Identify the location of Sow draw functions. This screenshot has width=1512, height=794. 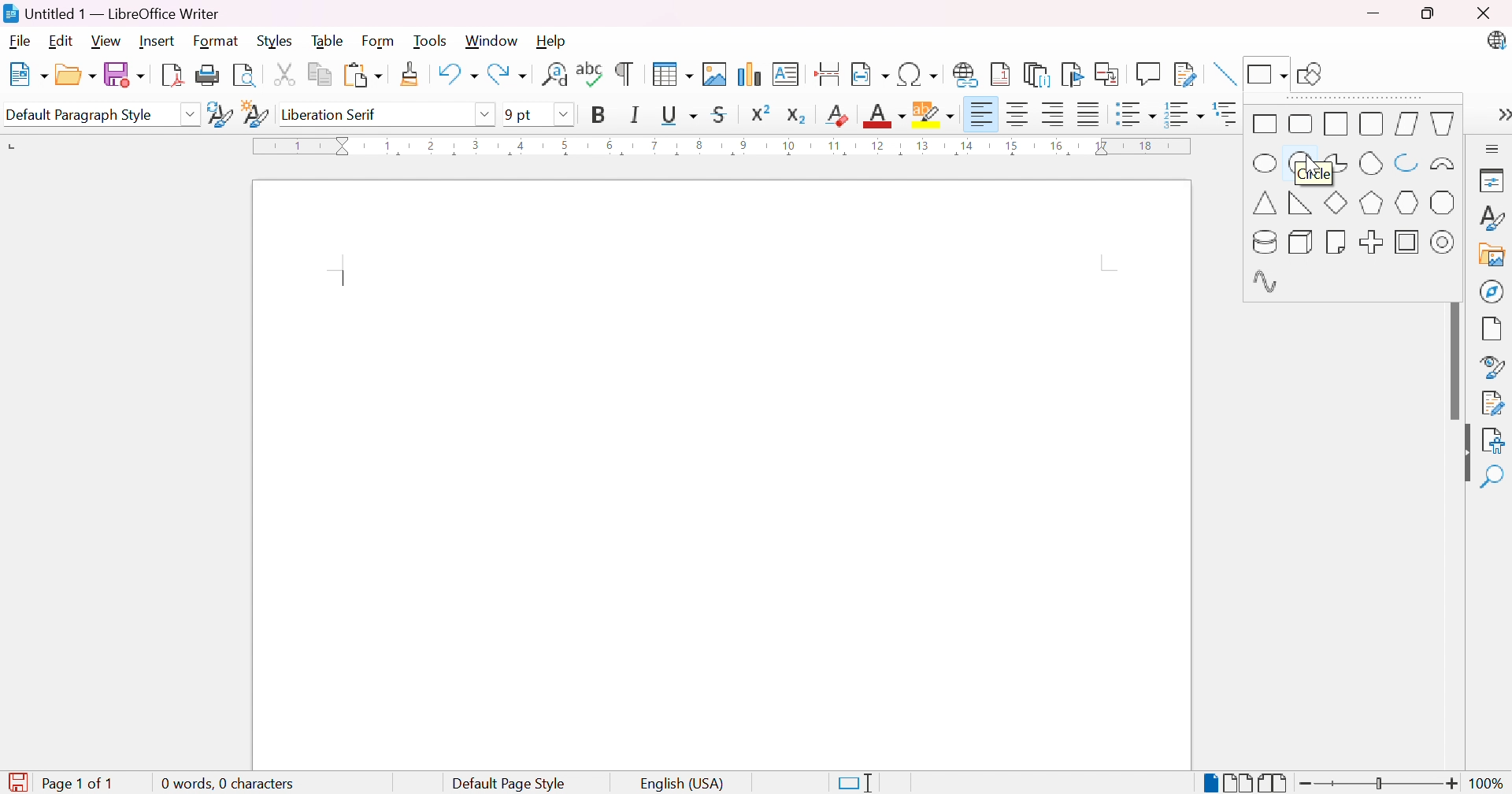
(1314, 71).